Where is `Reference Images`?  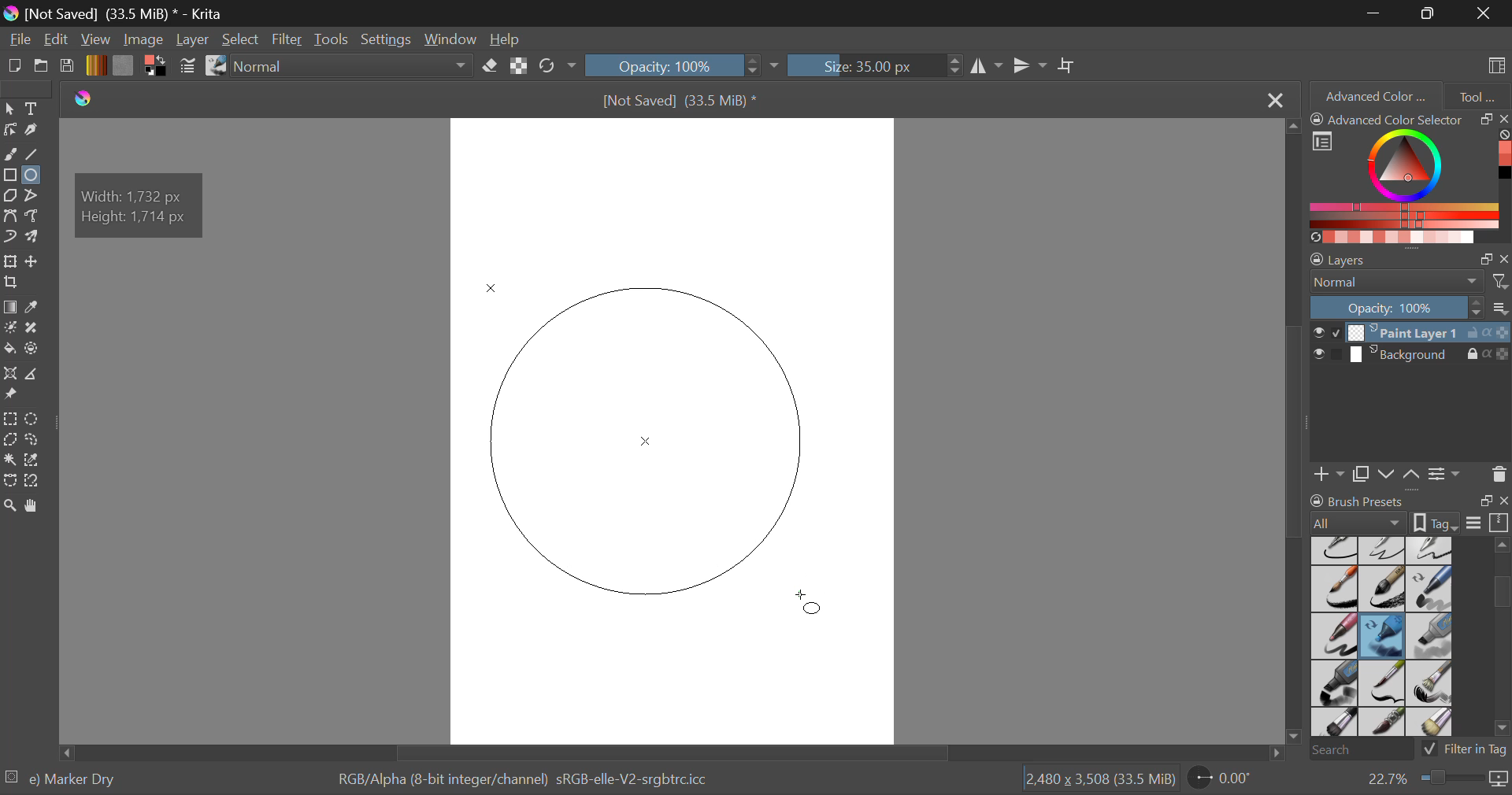
Reference Images is located at coordinates (13, 395).